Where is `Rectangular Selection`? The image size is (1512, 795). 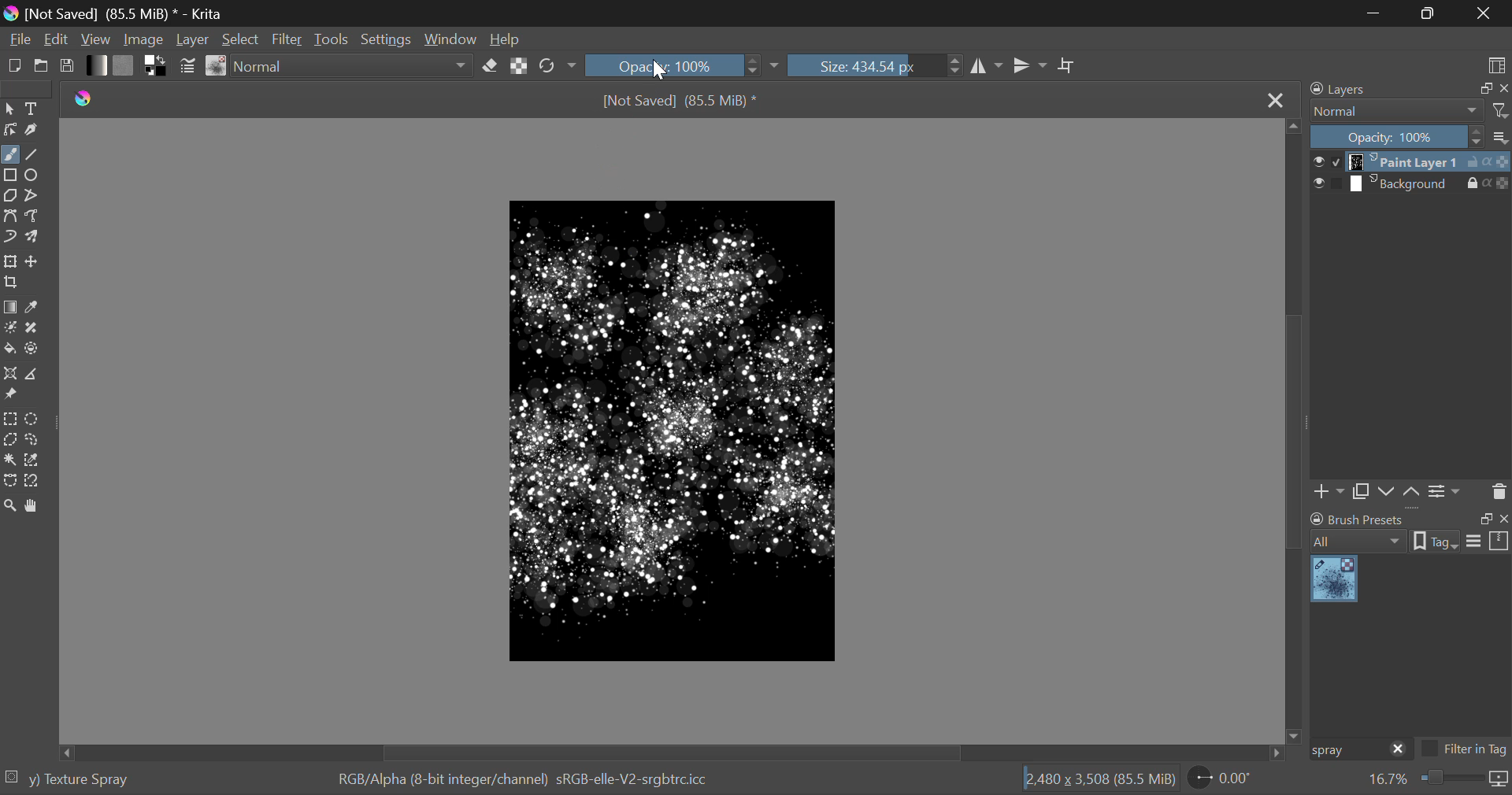 Rectangular Selection is located at coordinates (10, 420).